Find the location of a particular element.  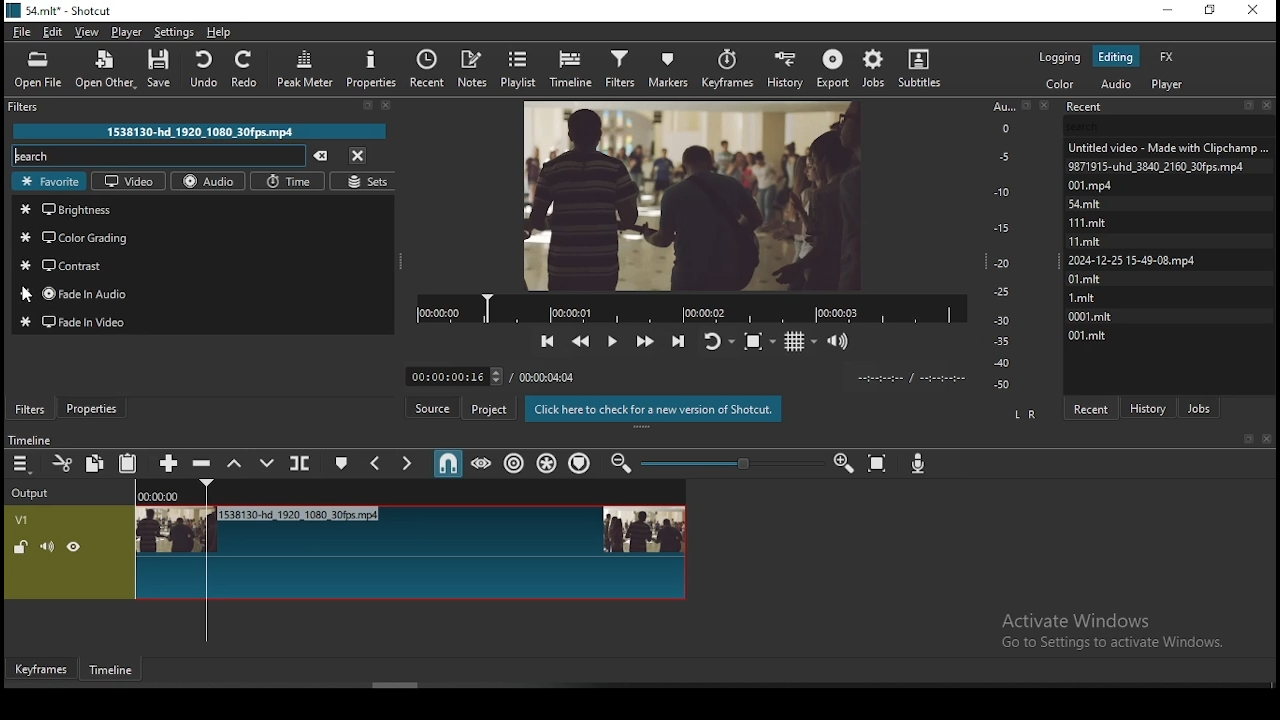

undo is located at coordinates (206, 68).